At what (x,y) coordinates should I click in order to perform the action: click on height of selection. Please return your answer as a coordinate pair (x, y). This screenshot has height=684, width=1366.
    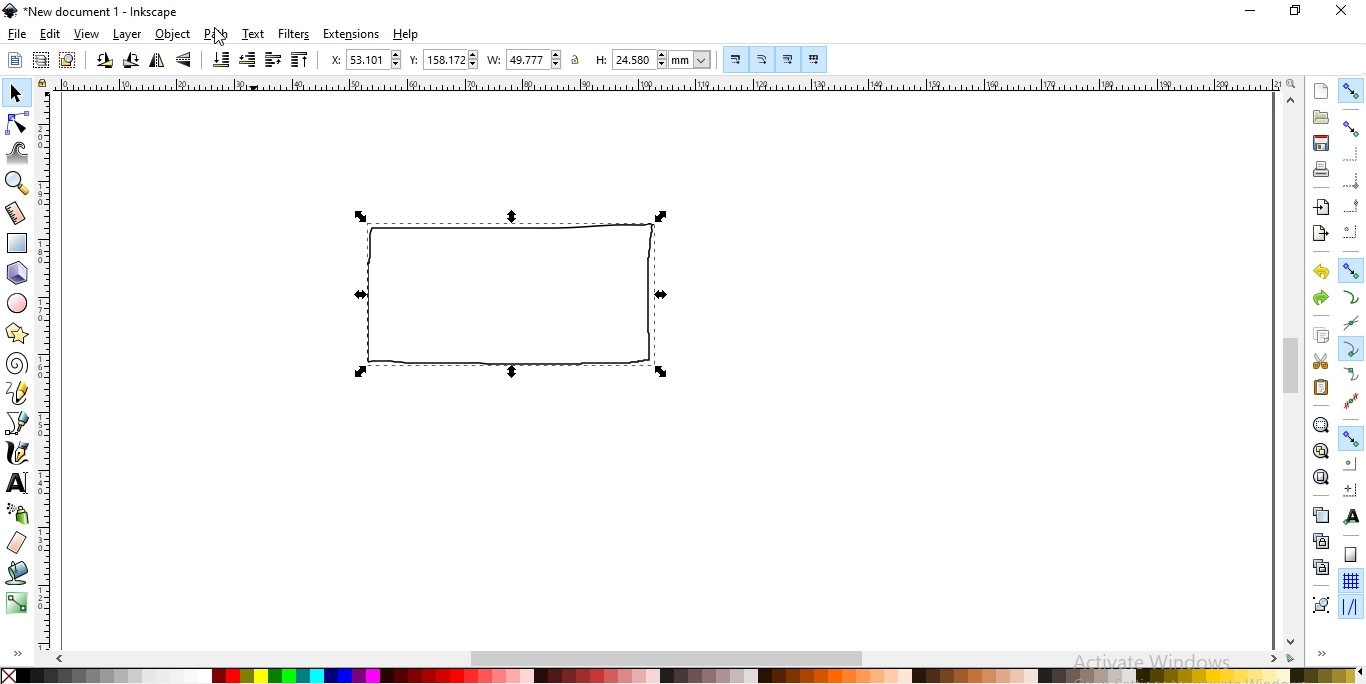
    Looking at the image, I should click on (651, 58).